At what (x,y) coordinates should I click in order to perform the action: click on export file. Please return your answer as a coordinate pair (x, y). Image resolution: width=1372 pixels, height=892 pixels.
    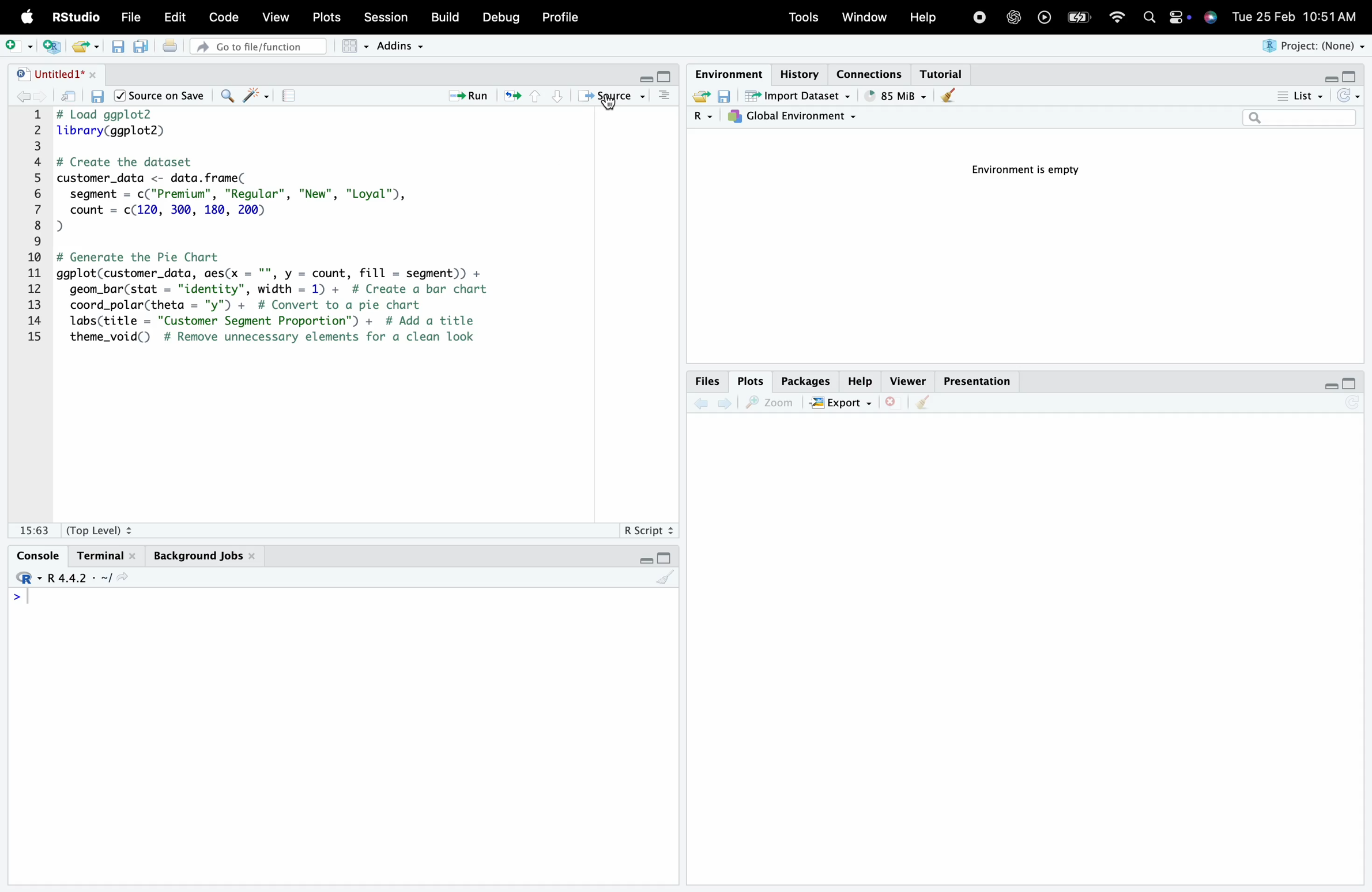
    Looking at the image, I should click on (696, 97).